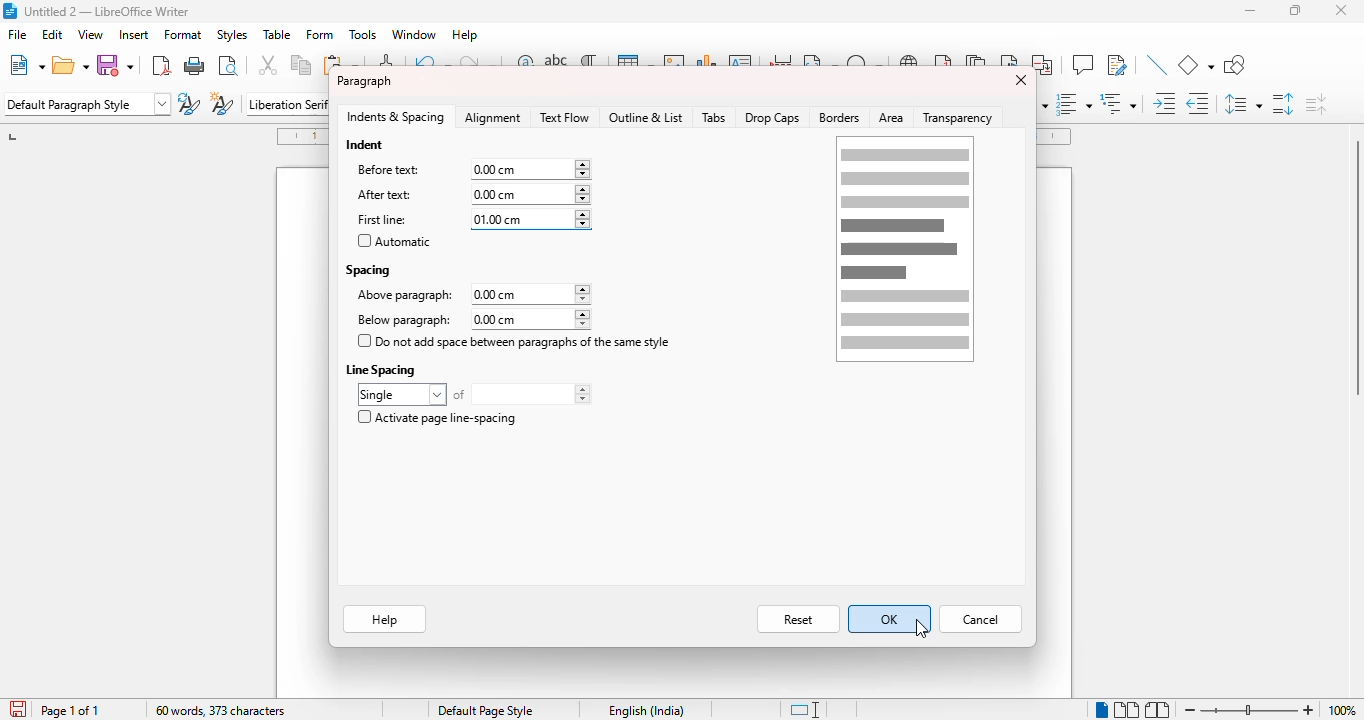 The width and height of the screenshot is (1364, 720). I want to click on print, so click(195, 64).